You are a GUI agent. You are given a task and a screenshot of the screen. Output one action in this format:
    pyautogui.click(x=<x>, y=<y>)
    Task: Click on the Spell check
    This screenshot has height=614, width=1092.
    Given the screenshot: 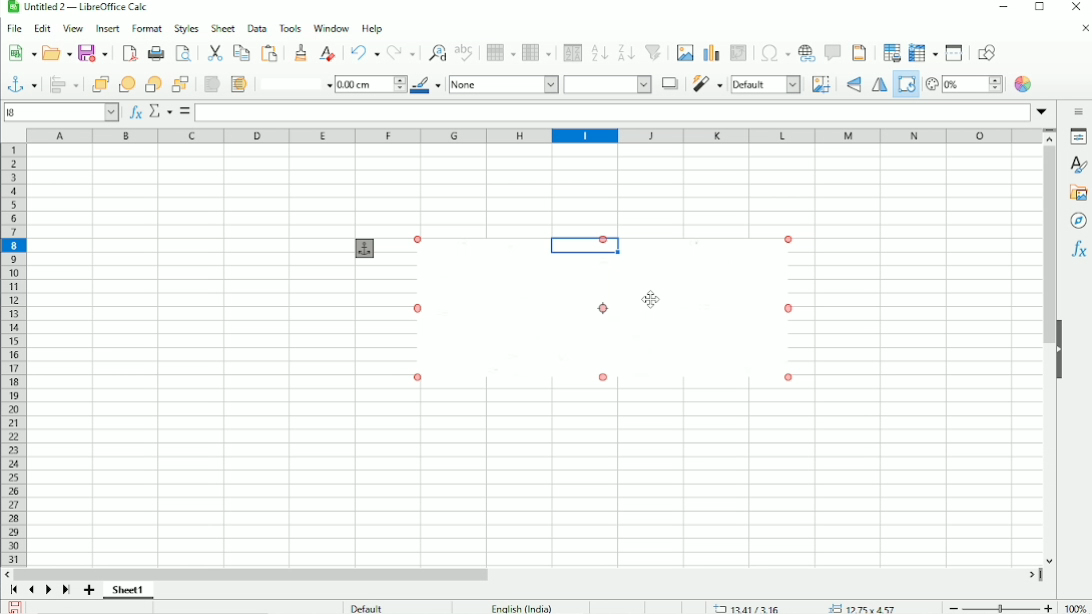 What is the action you would take?
    pyautogui.click(x=466, y=52)
    